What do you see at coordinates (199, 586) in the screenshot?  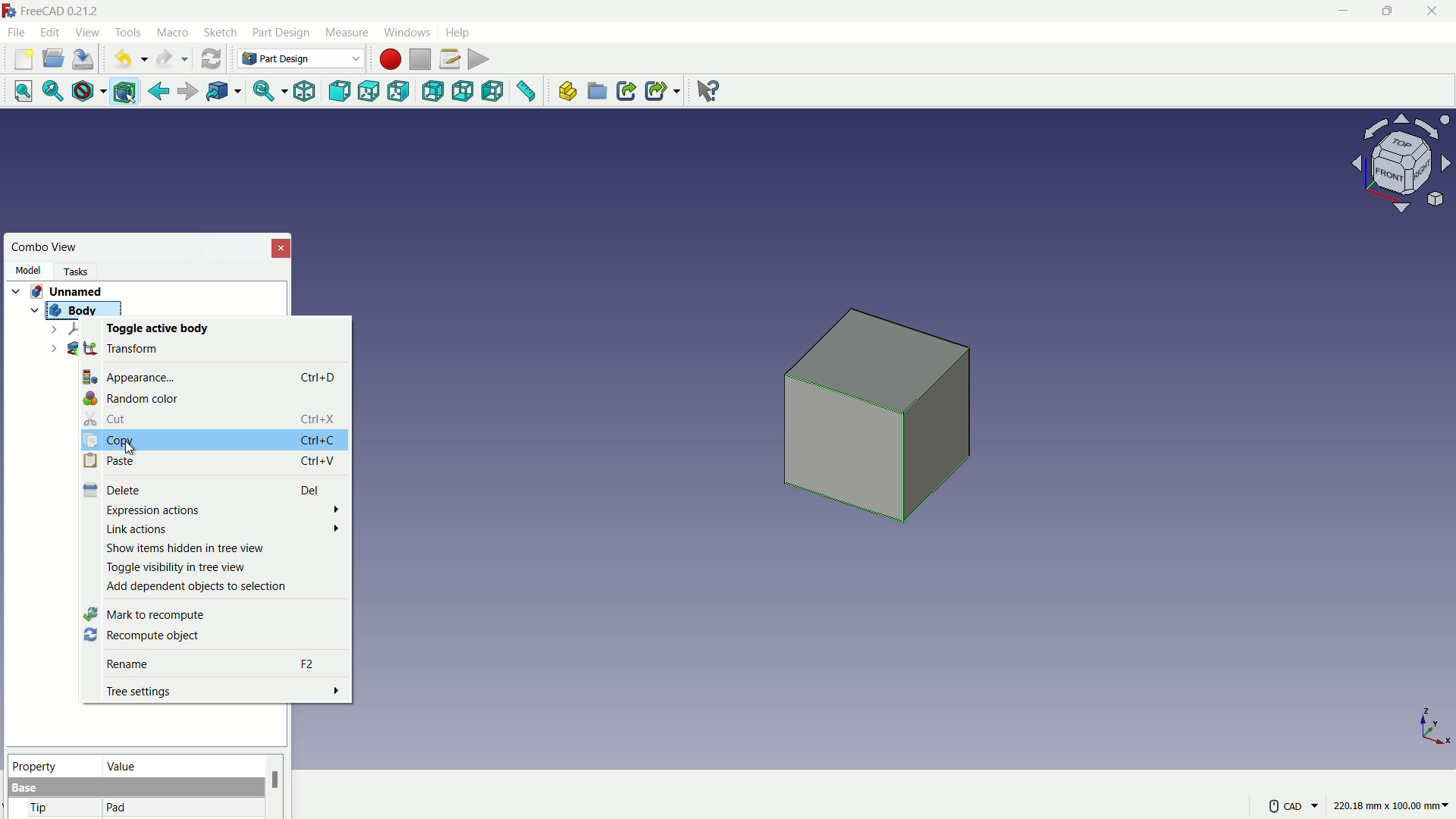 I see `‘Add dependent objects to selection` at bounding box center [199, 586].